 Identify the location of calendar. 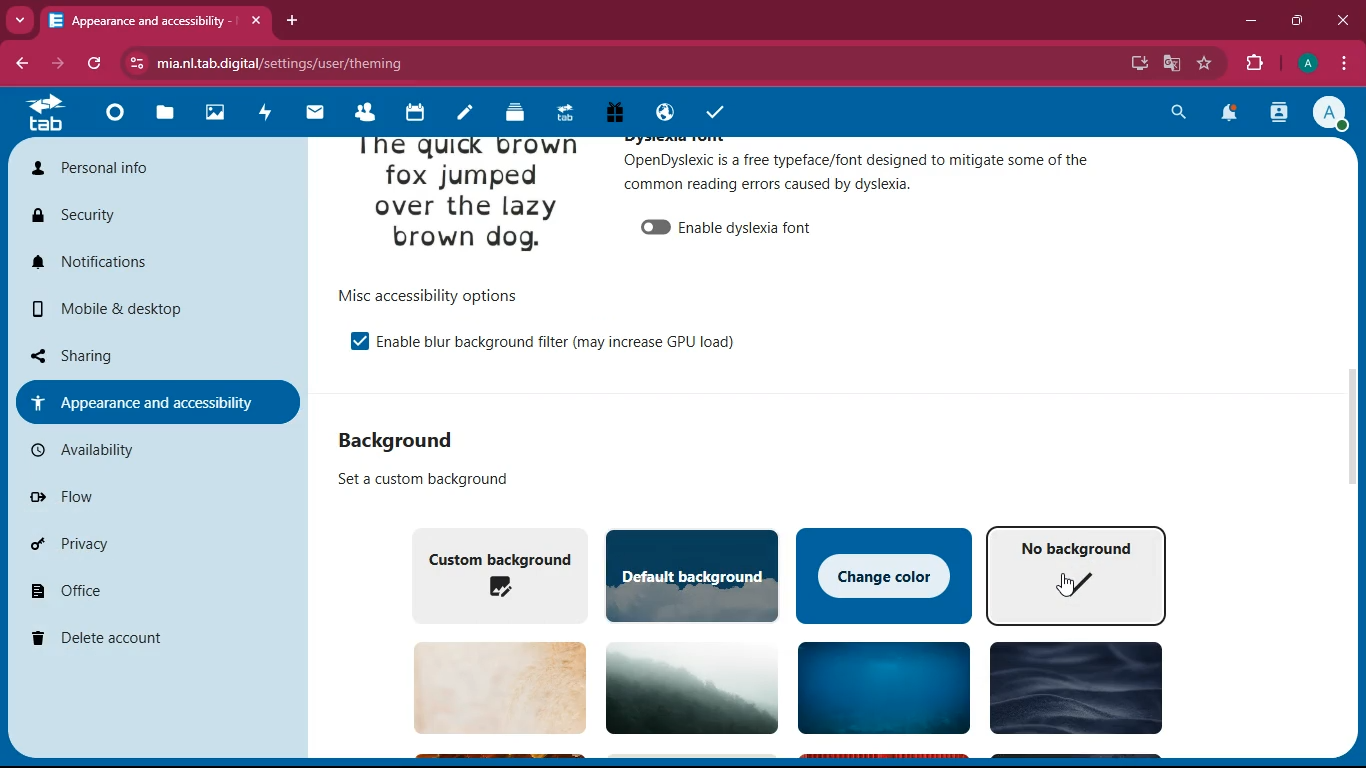
(412, 115).